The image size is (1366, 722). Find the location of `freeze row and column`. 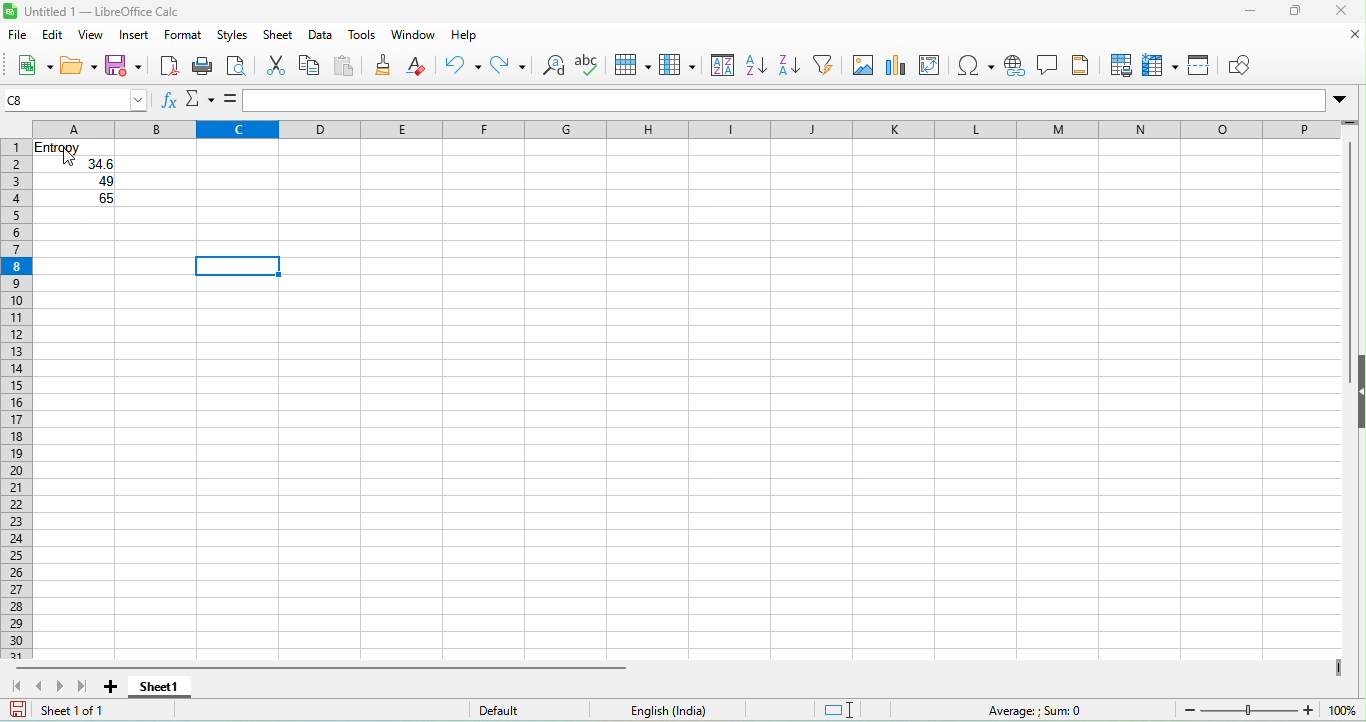

freeze row and column is located at coordinates (1161, 67).